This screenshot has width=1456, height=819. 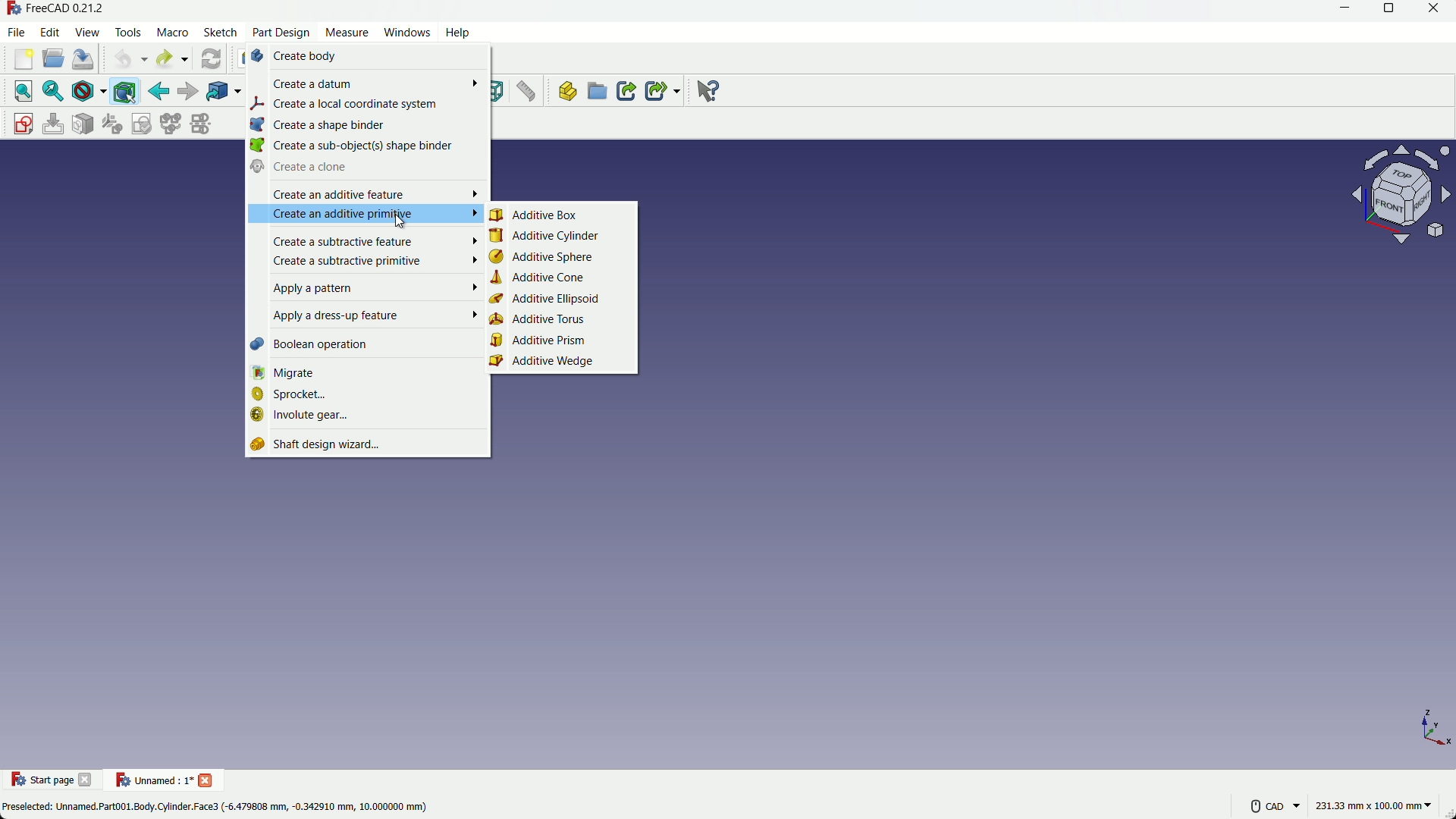 I want to click on additive cone, so click(x=560, y=280).